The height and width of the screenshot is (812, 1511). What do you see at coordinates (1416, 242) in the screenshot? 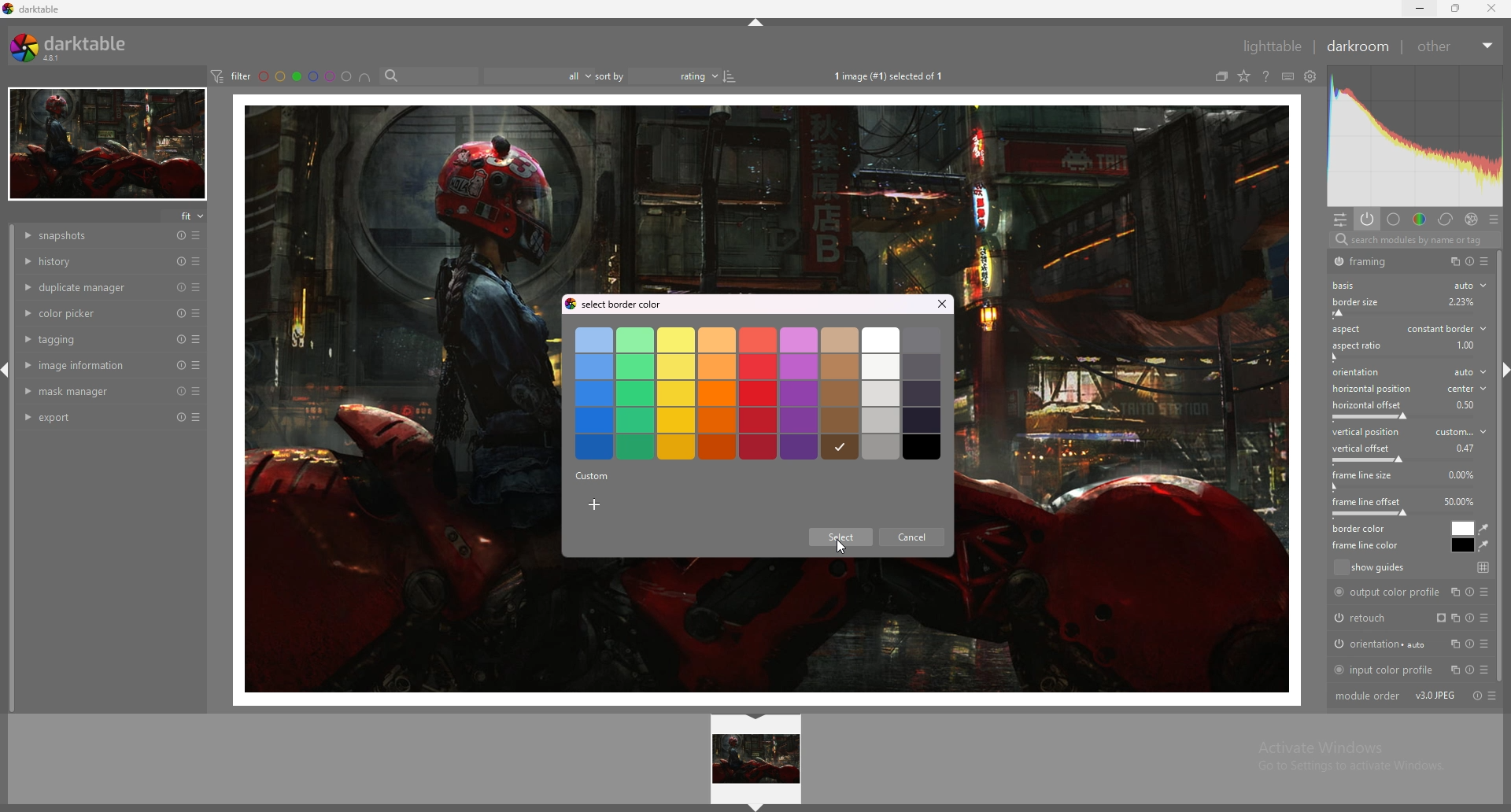
I see `search modules` at bounding box center [1416, 242].